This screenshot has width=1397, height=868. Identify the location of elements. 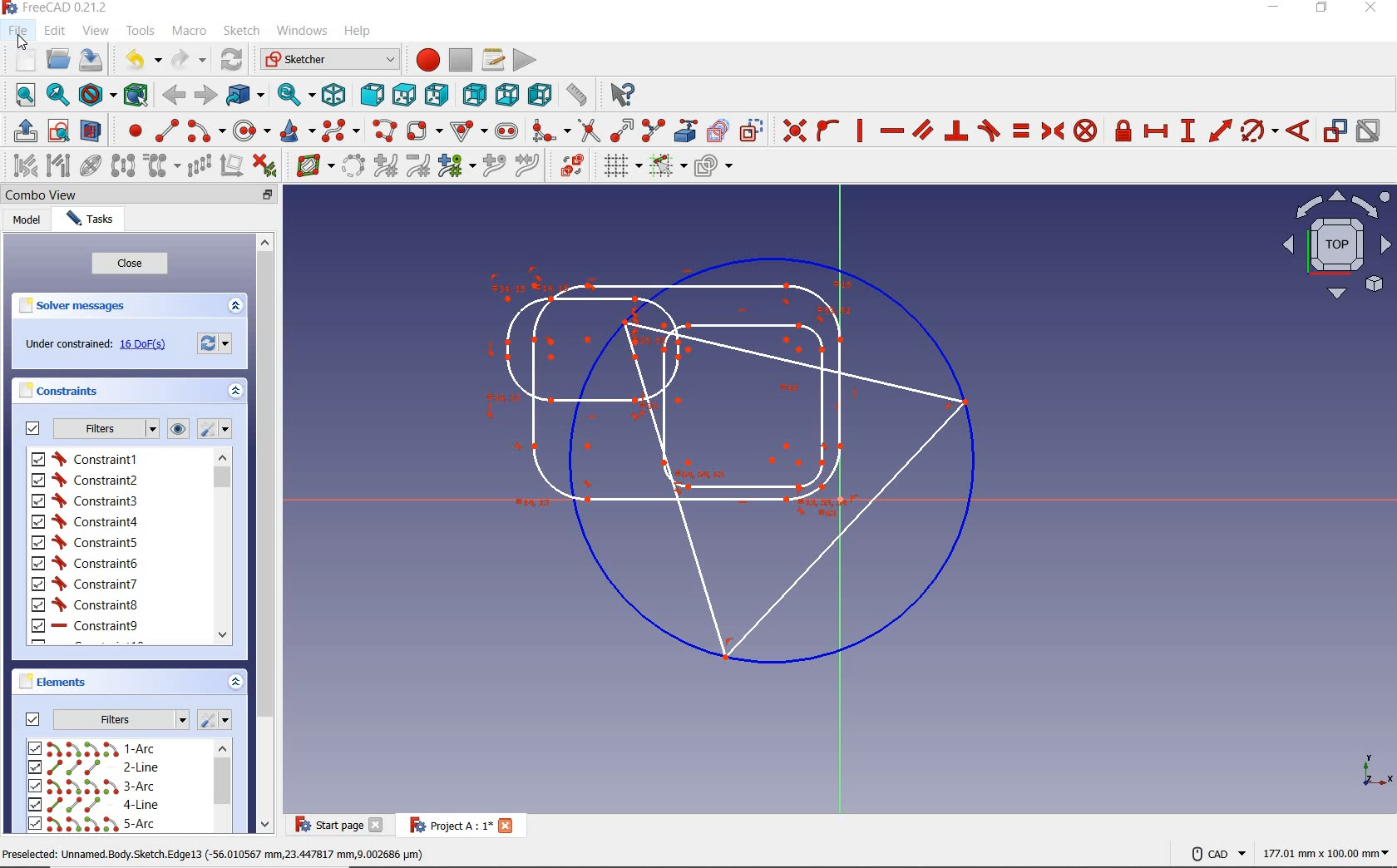
(58, 683).